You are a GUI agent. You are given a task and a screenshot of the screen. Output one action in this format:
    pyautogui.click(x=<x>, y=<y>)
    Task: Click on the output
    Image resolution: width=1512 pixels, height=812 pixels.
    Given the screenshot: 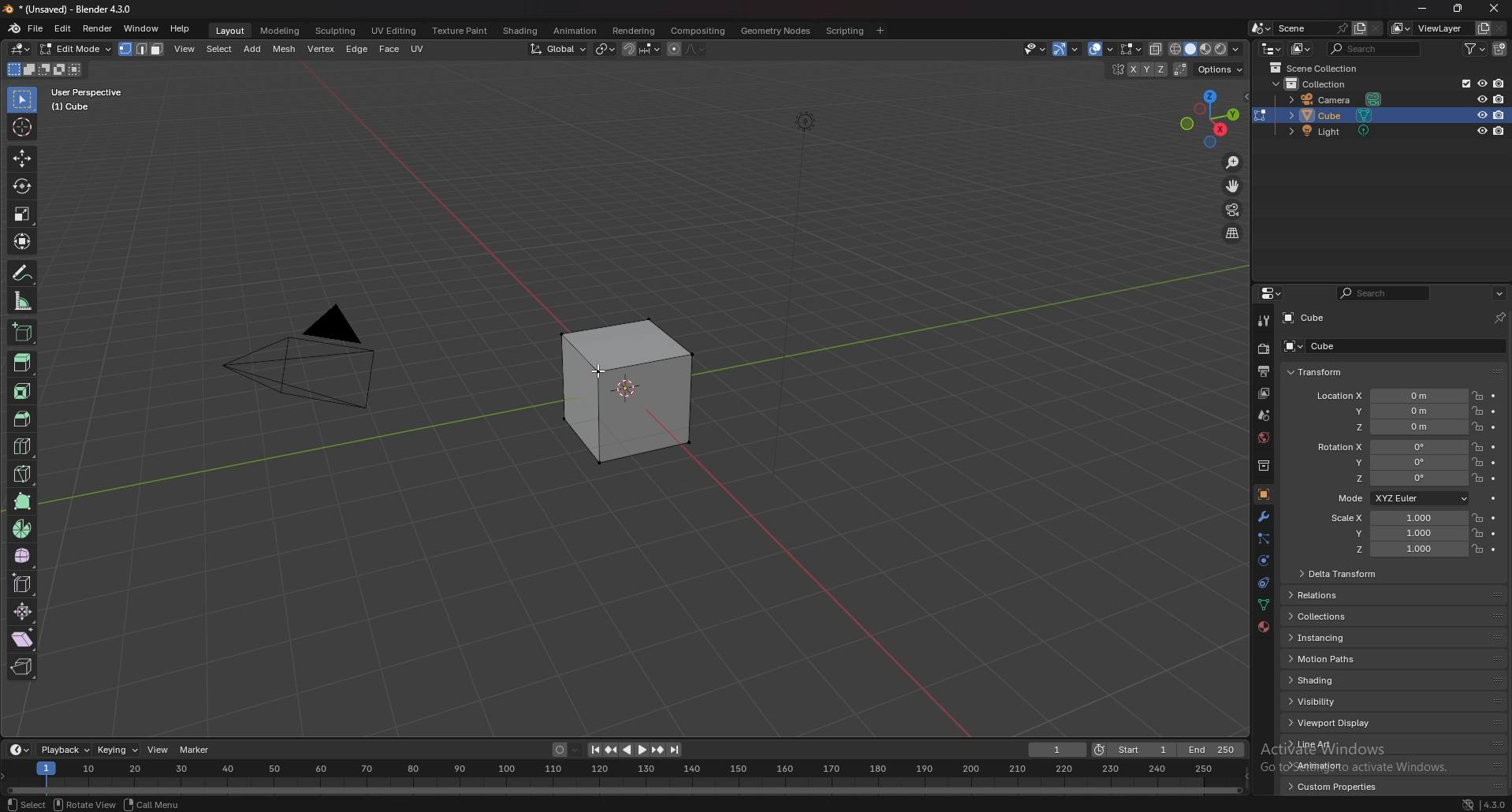 What is the action you would take?
    pyautogui.click(x=1265, y=371)
    